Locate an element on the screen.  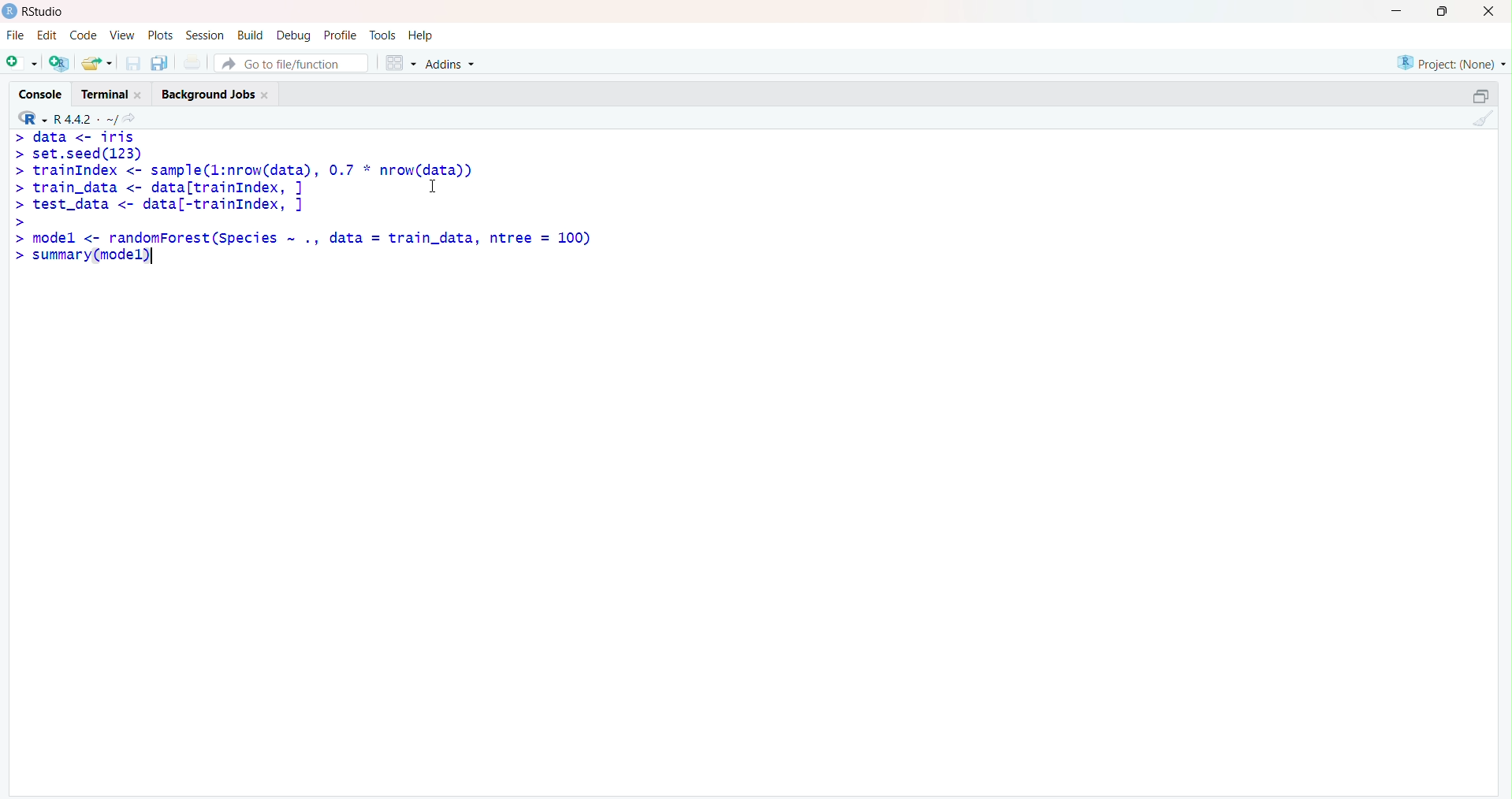
RStudio logo is located at coordinates (29, 117).